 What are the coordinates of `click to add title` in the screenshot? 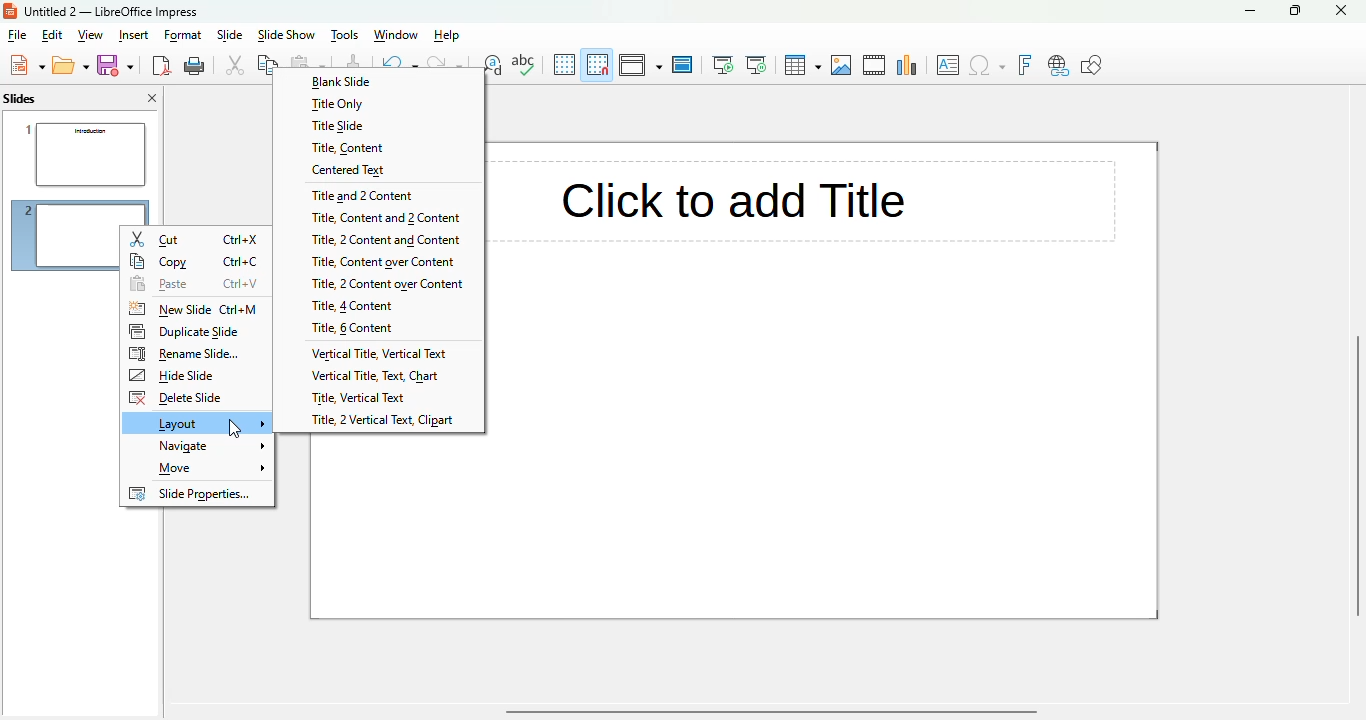 It's located at (807, 201).